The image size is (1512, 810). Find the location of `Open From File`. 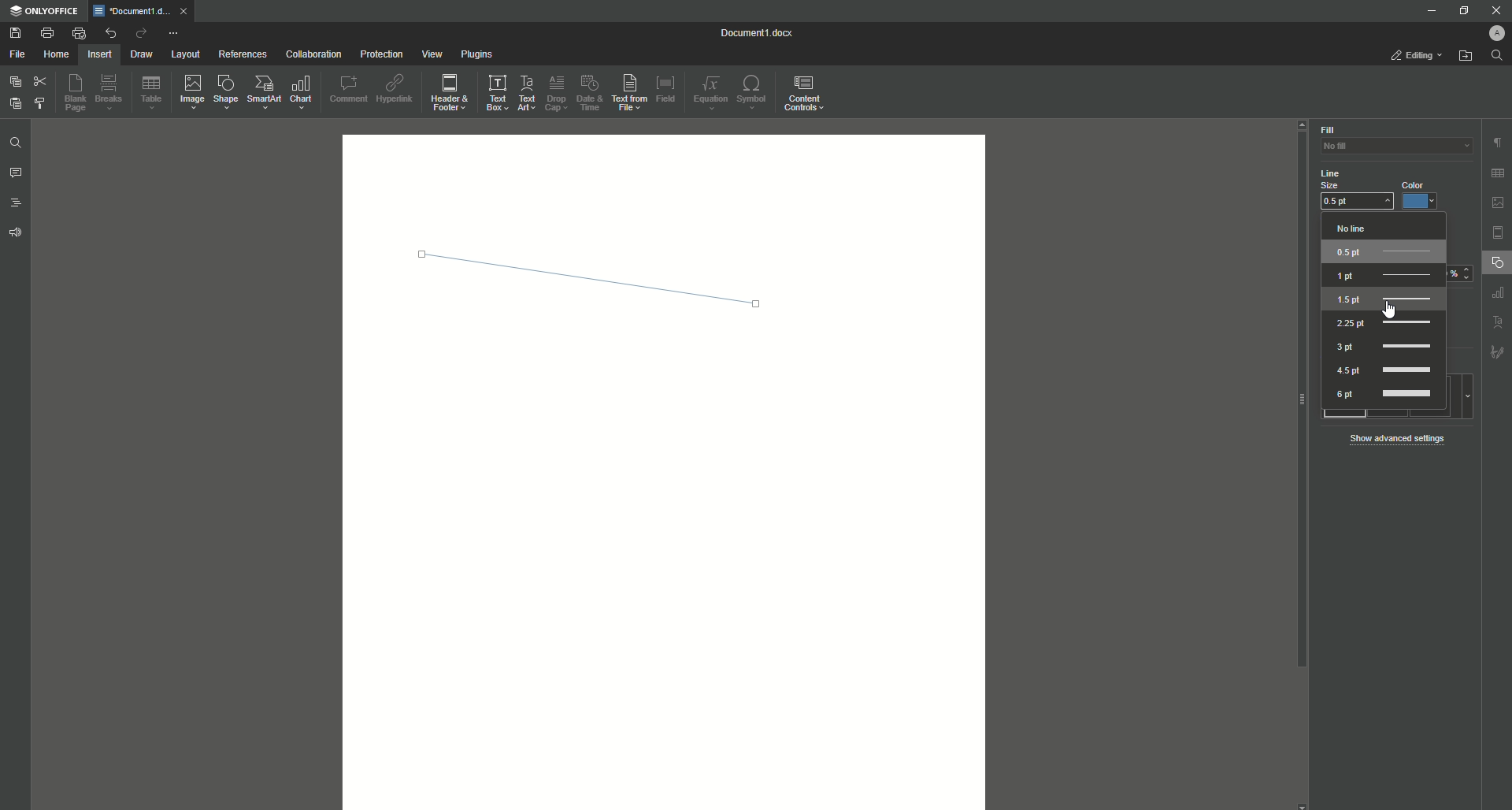

Open From File is located at coordinates (1466, 58).